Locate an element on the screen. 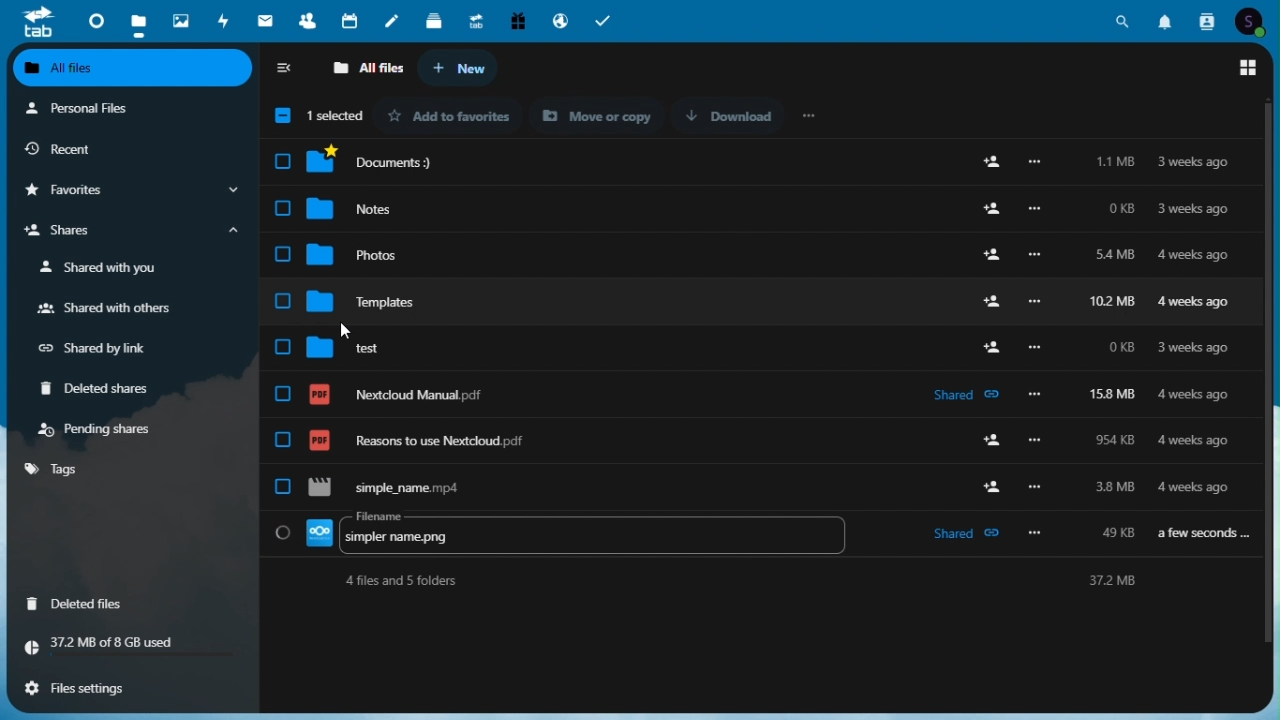 Image resolution: width=1280 pixels, height=720 pixels. more is located at coordinates (811, 114).